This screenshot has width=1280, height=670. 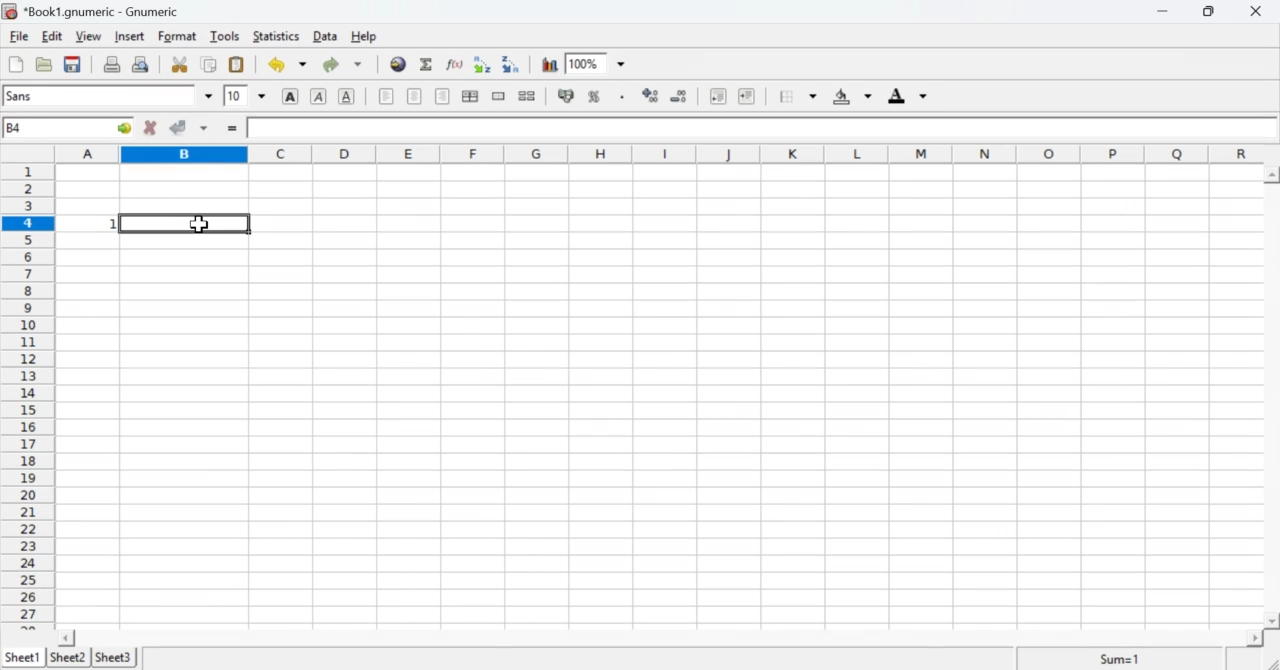 What do you see at coordinates (527, 95) in the screenshot?
I see `Split merged range of cells` at bounding box center [527, 95].